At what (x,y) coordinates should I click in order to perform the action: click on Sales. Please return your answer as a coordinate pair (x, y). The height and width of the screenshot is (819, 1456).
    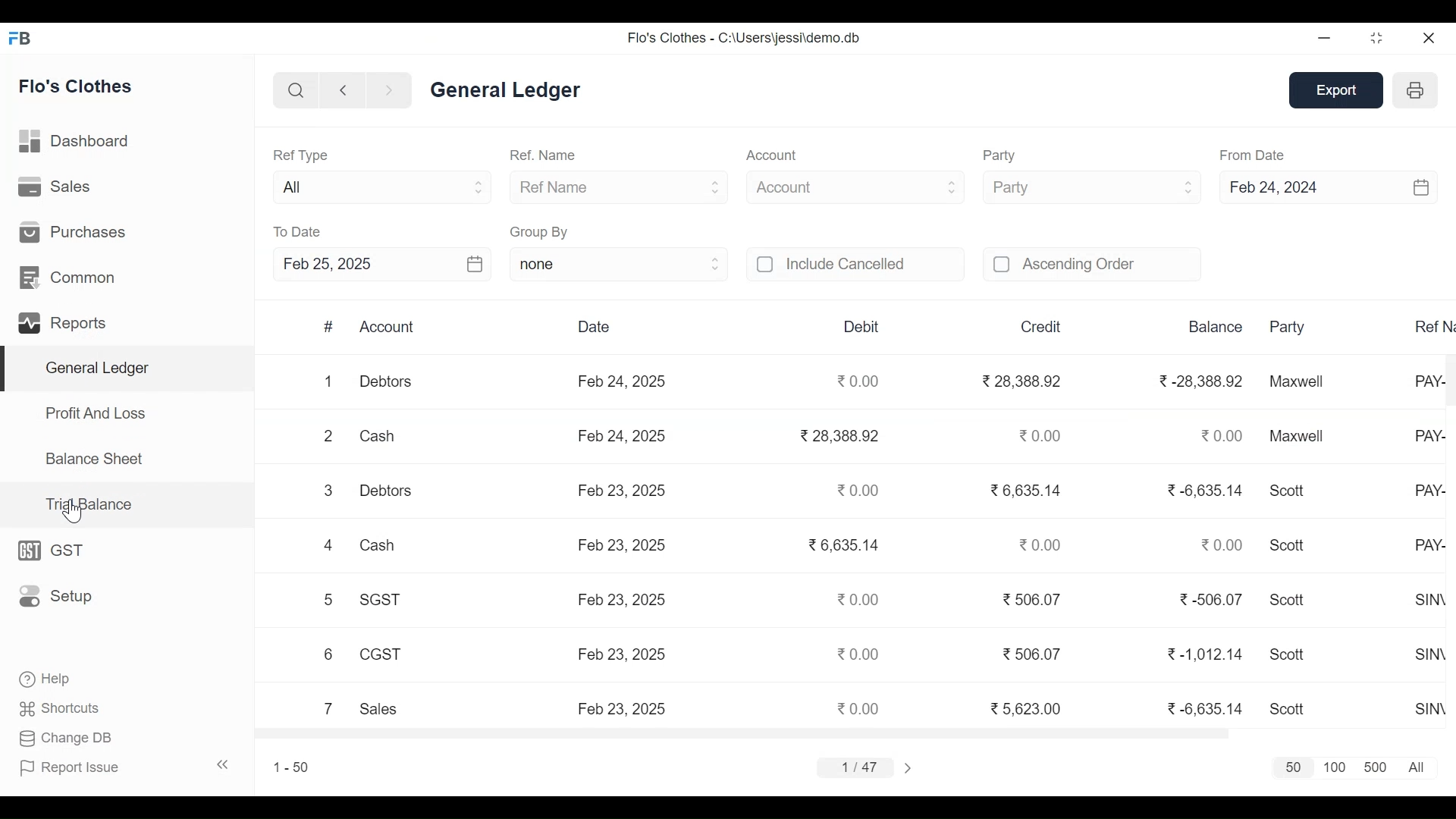
    Looking at the image, I should click on (382, 709).